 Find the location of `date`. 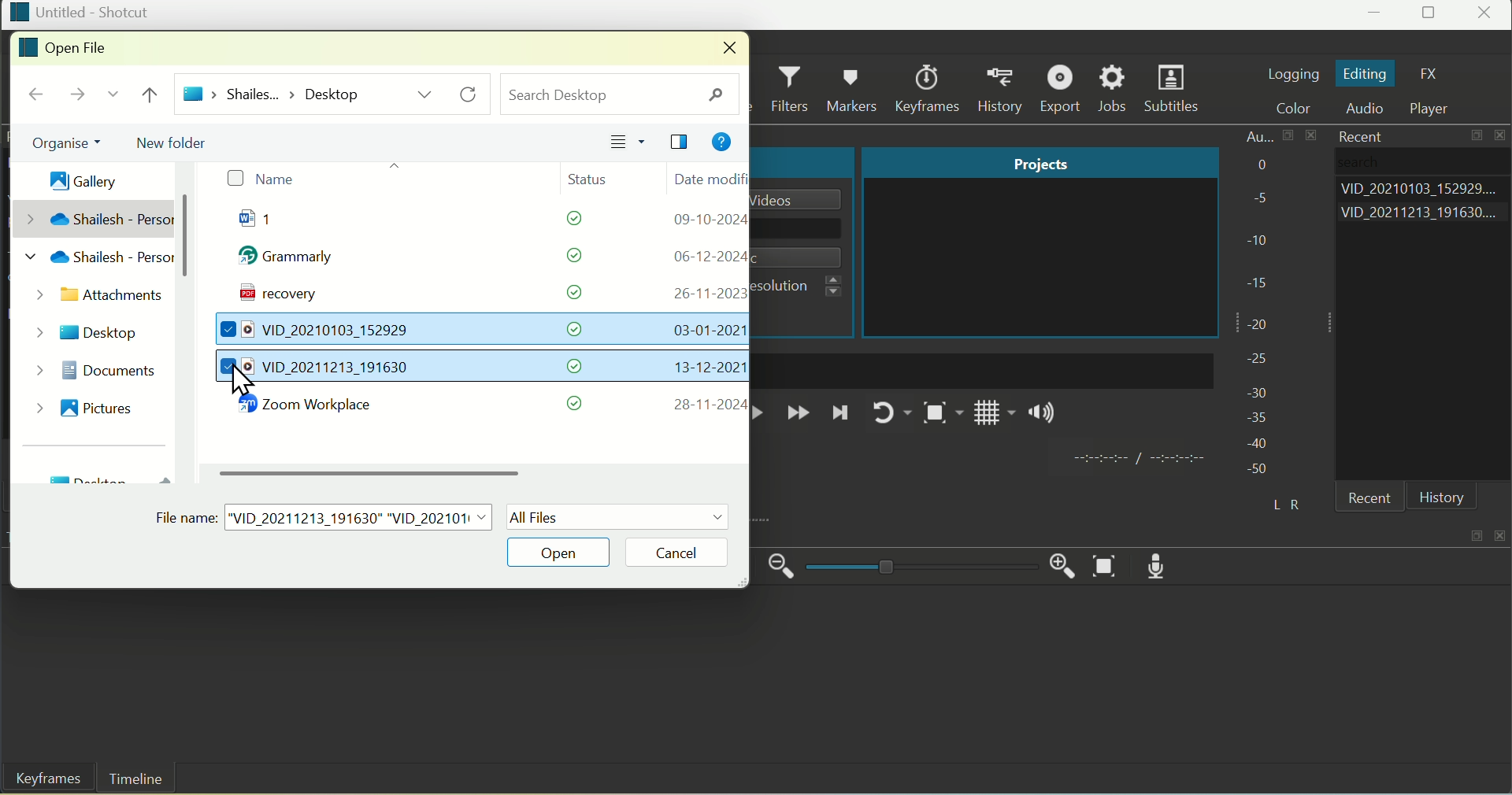

date is located at coordinates (707, 405).